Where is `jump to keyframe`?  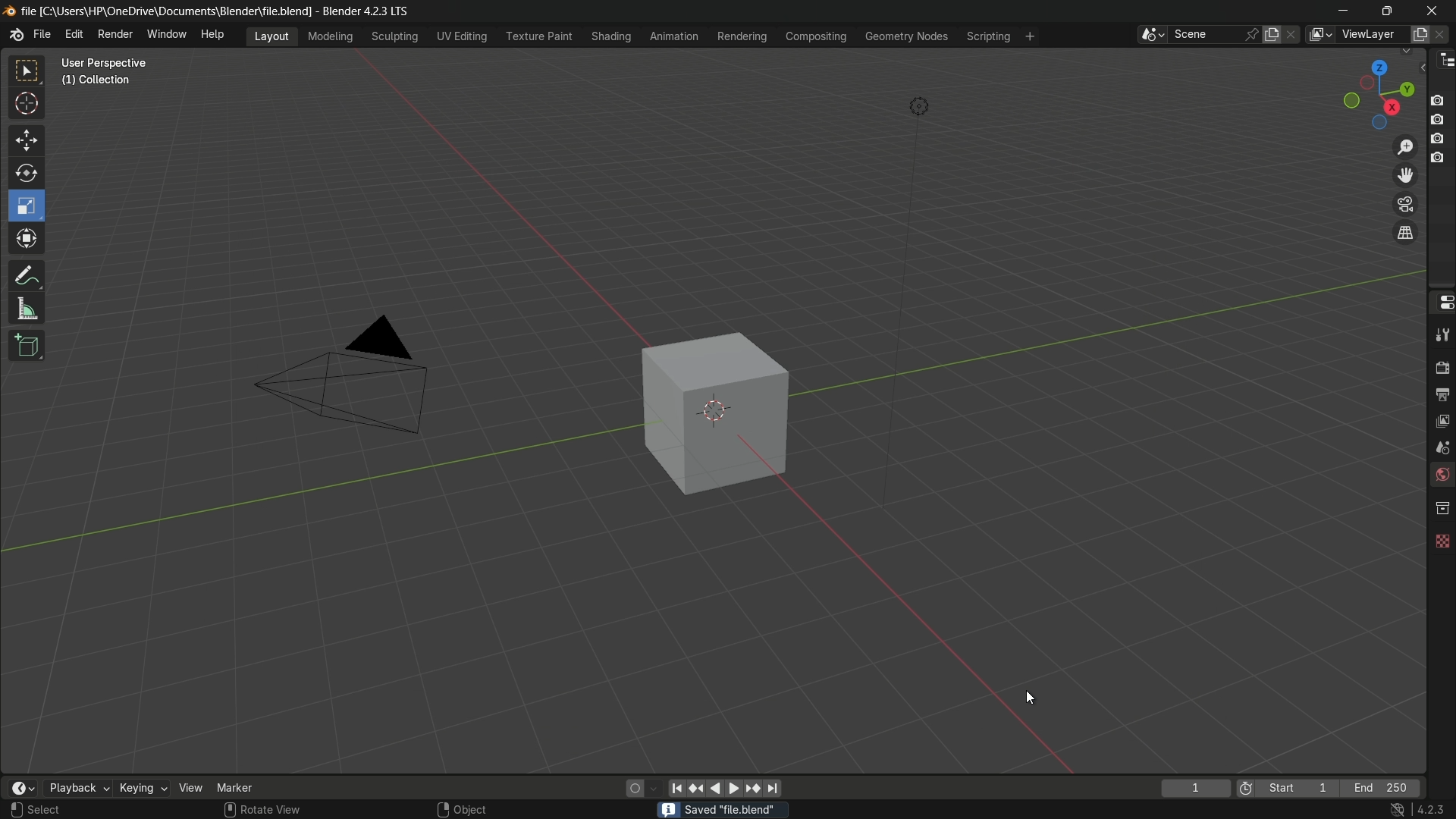 jump to keyframe is located at coordinates (697, 786).